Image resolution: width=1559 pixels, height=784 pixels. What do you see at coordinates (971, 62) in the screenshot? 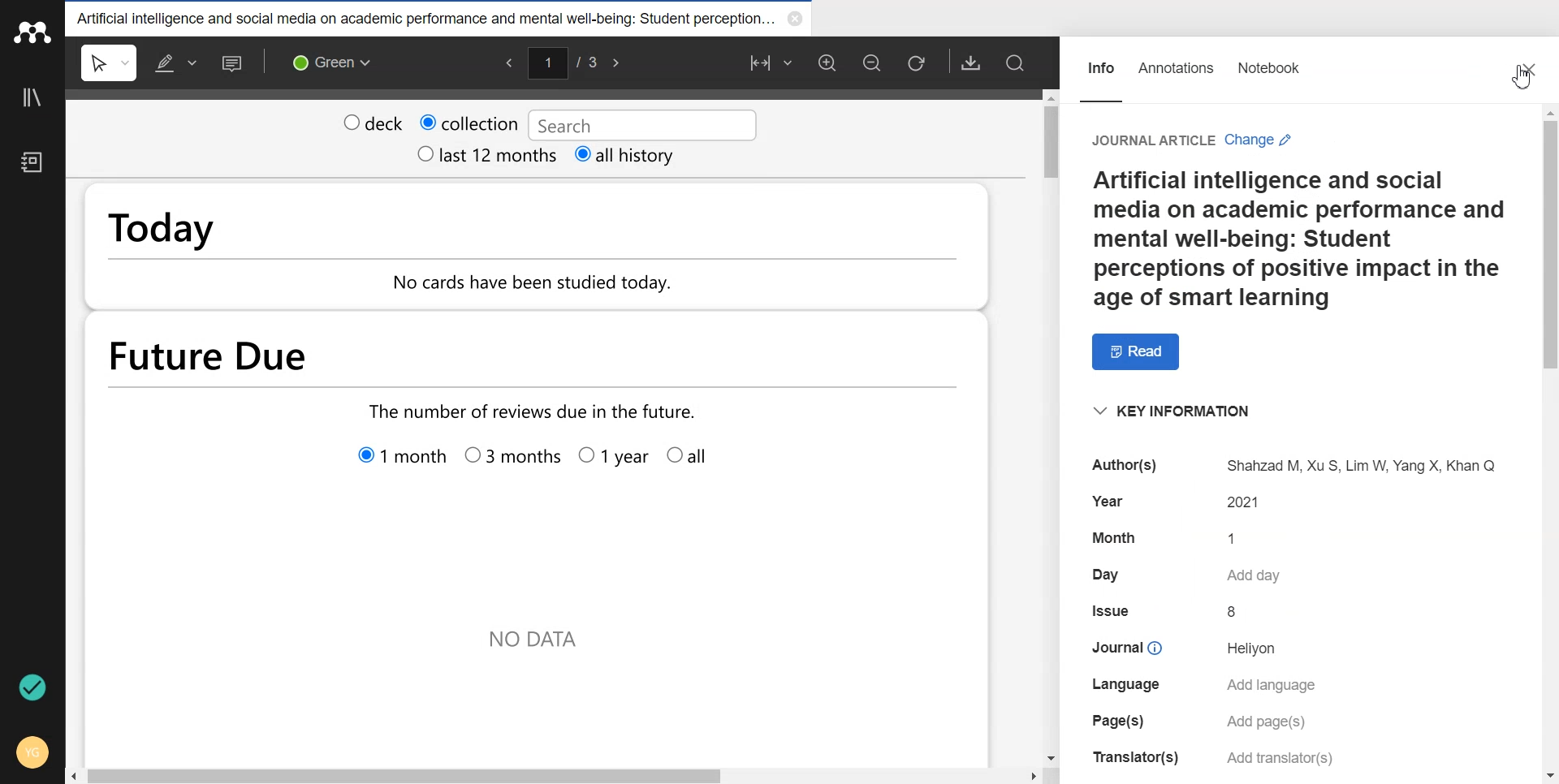
I see `Download` at bounding box center [971, 62].